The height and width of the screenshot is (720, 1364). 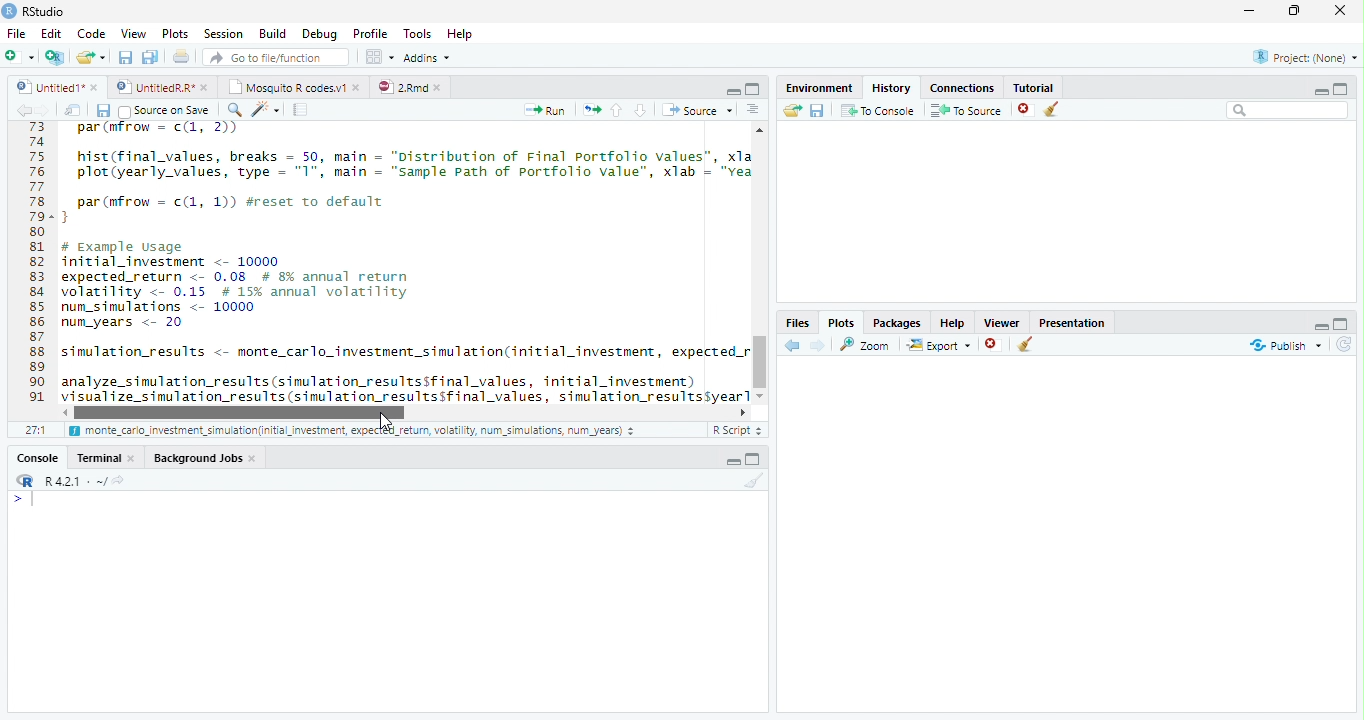 I want to click on Remove selected, so click(x=995, y=345).